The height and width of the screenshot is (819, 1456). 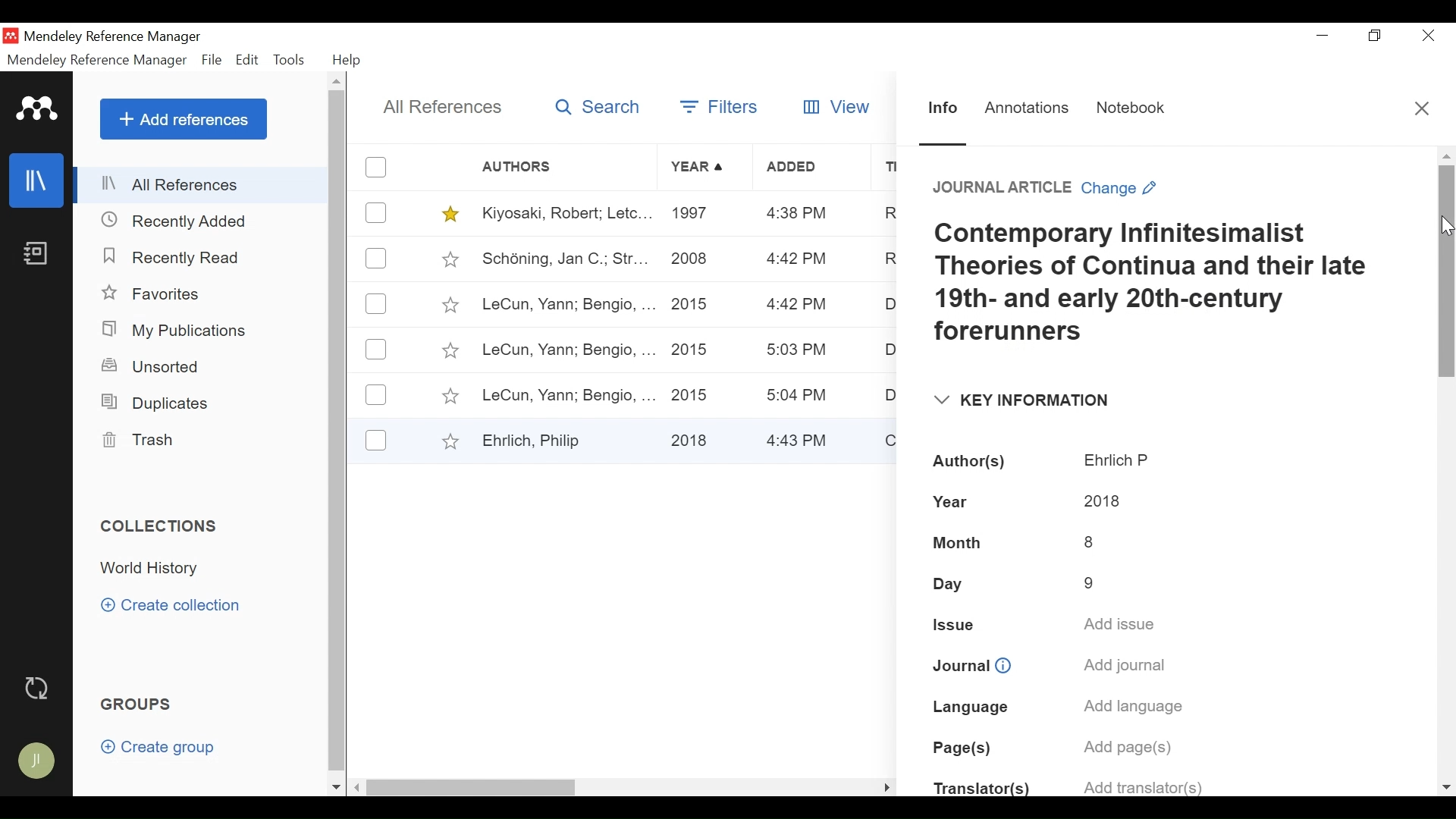 I want to click on 2015, so click(x=695, y=393).